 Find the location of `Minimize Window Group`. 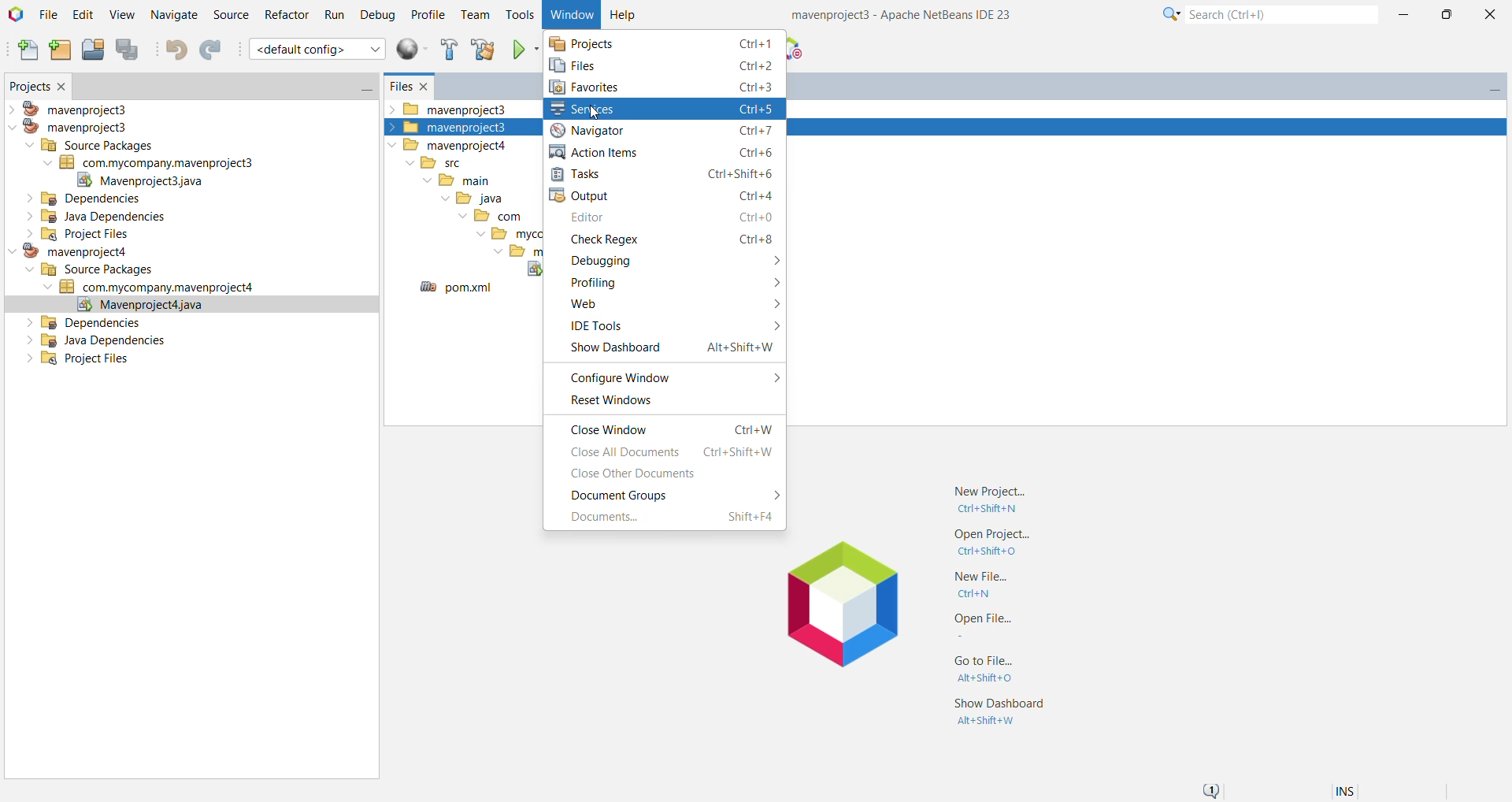

Minimize Window Group is located at coordinates (361, 89).